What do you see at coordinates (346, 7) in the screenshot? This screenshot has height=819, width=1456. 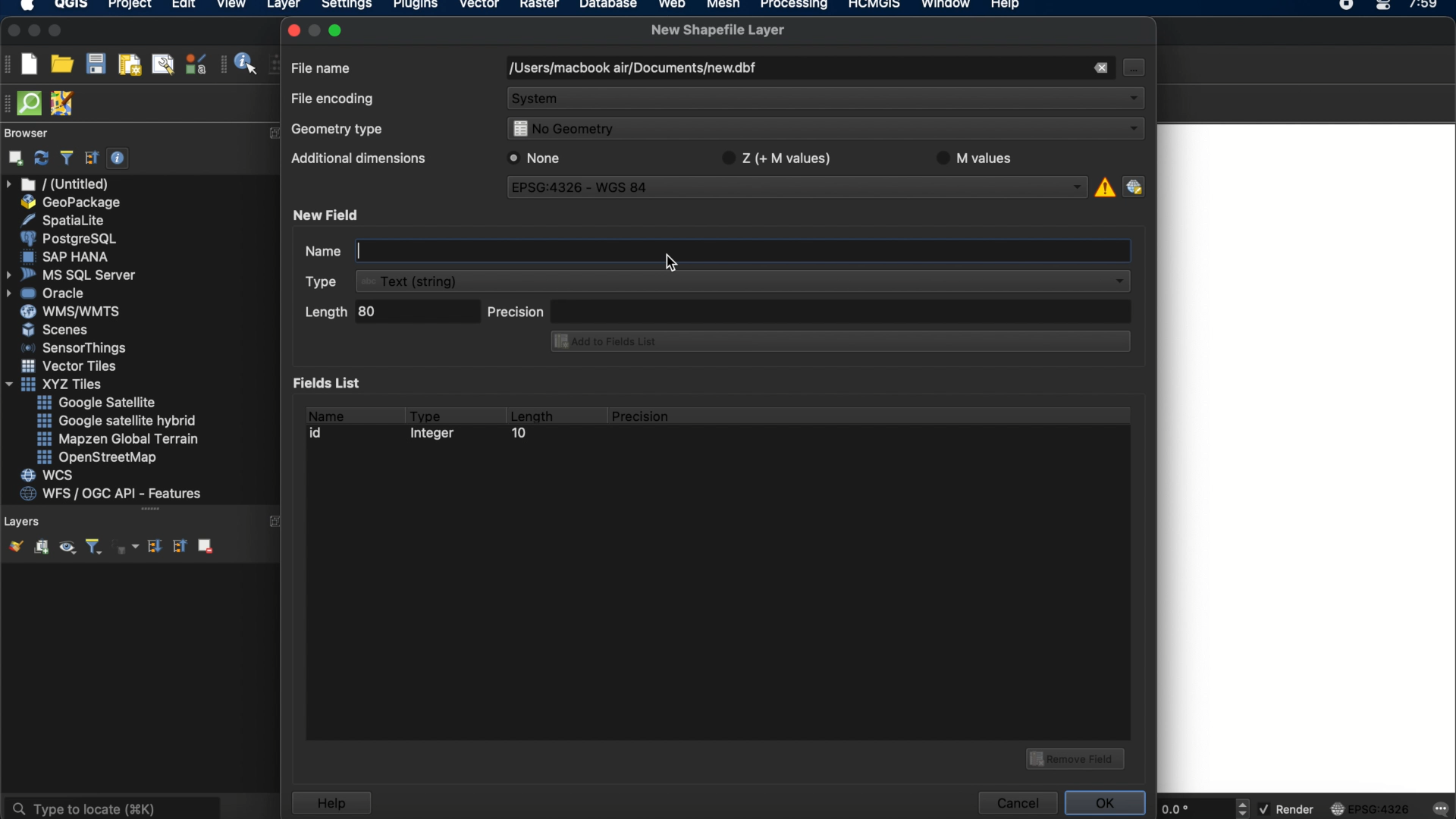 I see `settings` at bounding box center [346, 7].